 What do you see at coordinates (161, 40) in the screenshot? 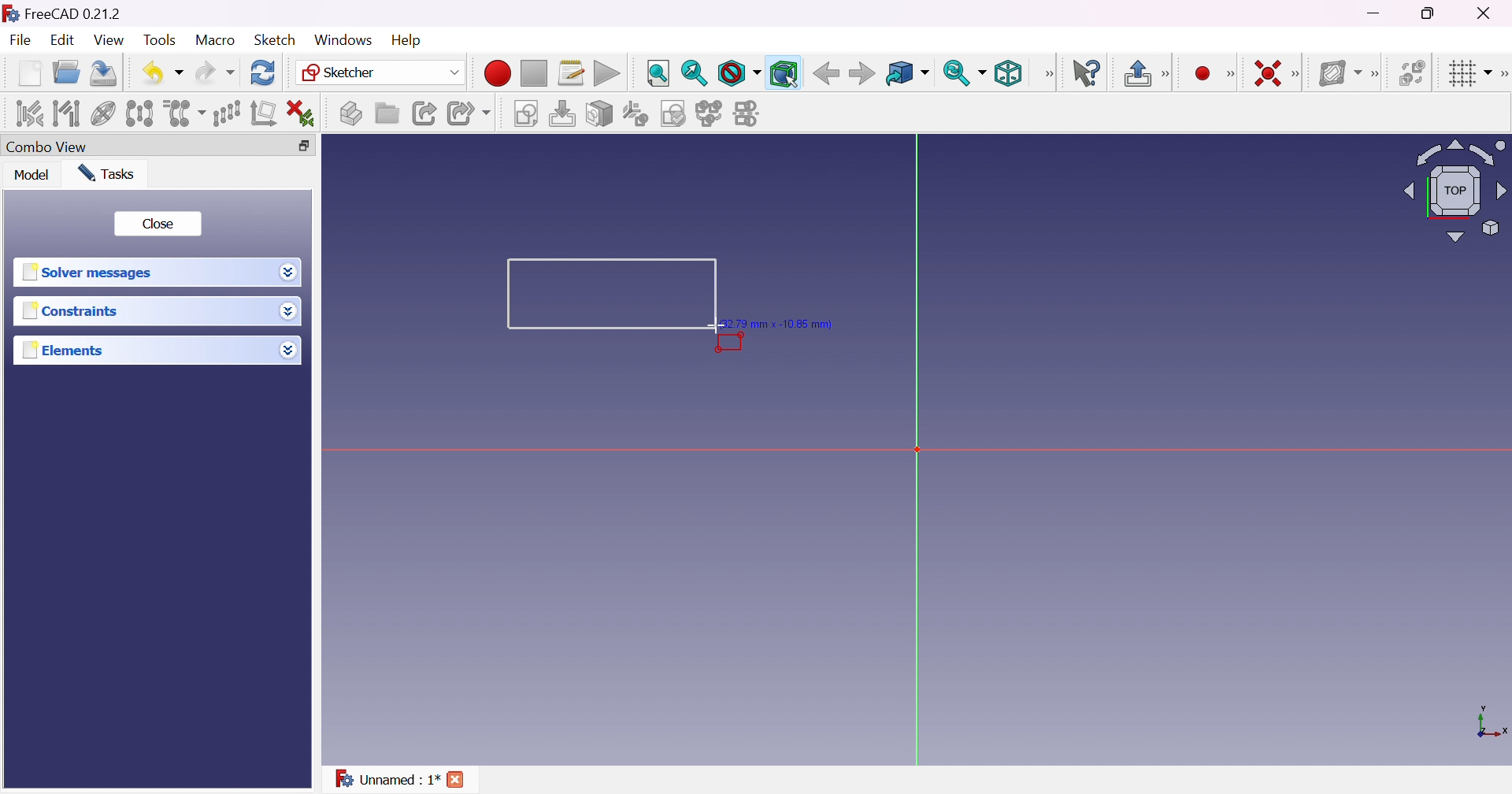
I see `Tools` at bounding box center [161, 40].